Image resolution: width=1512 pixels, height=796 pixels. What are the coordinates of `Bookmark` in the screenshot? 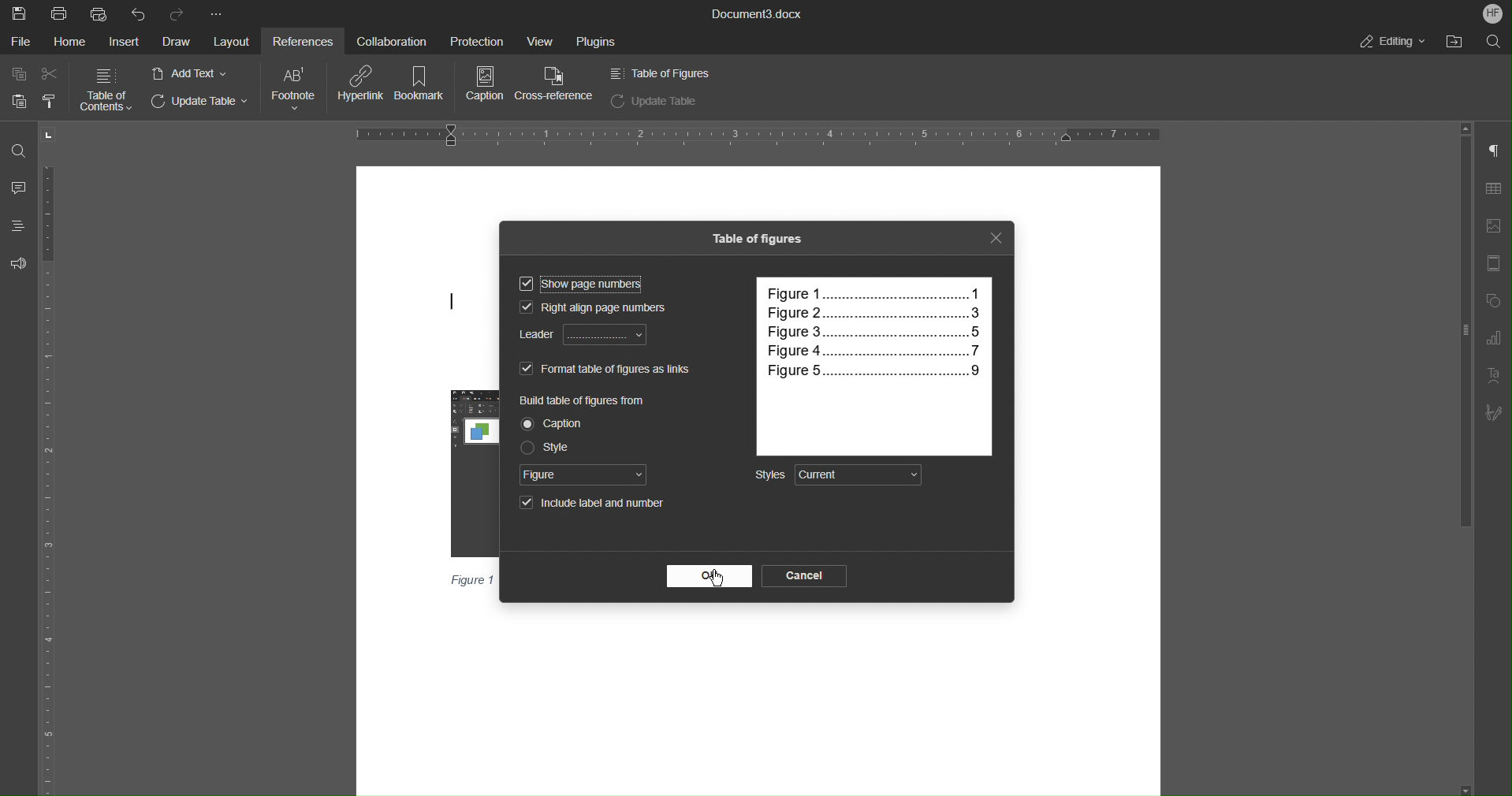 It's located at (423, 85).